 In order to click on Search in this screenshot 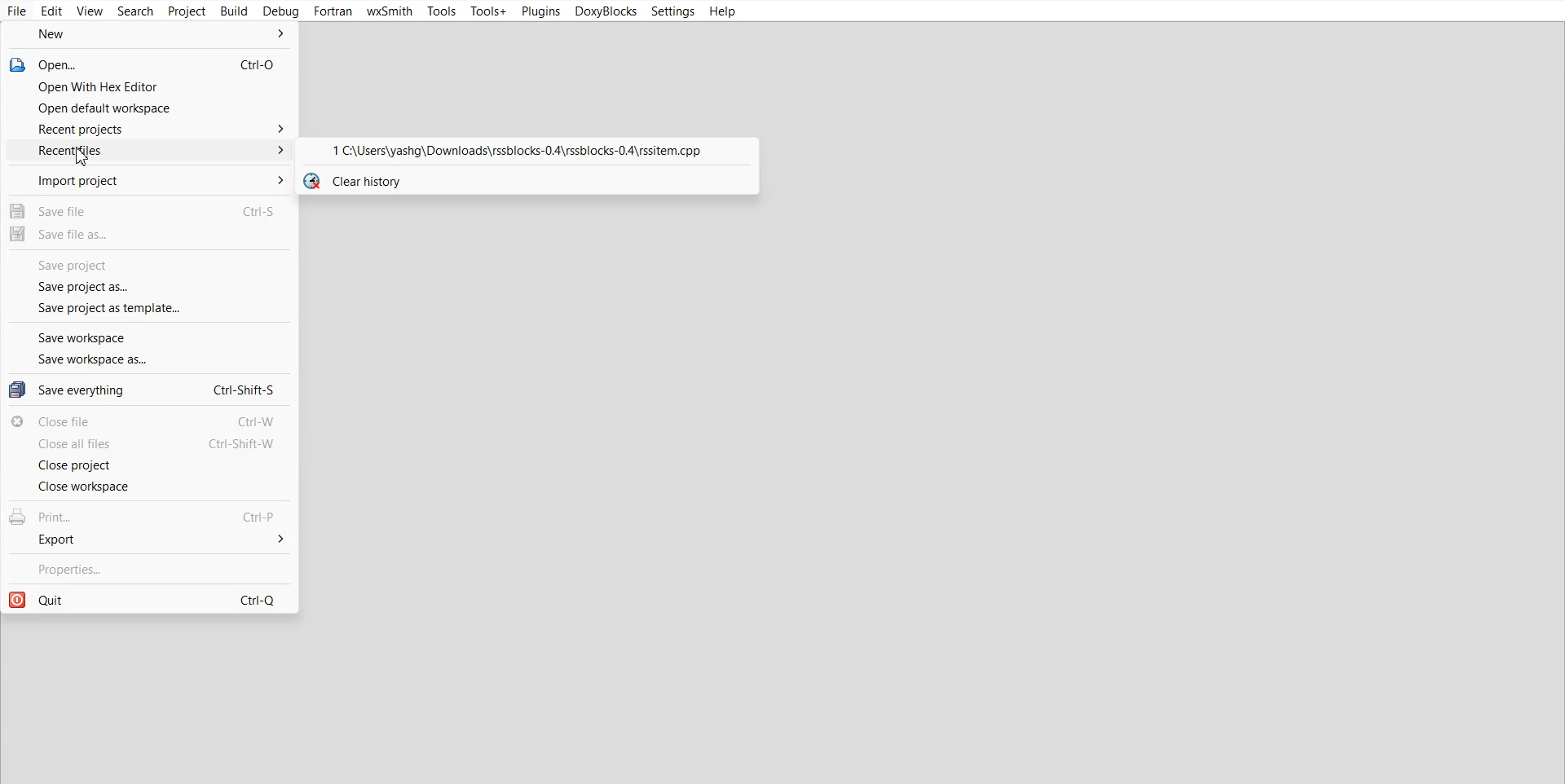, I will do `click(135, 11)`.